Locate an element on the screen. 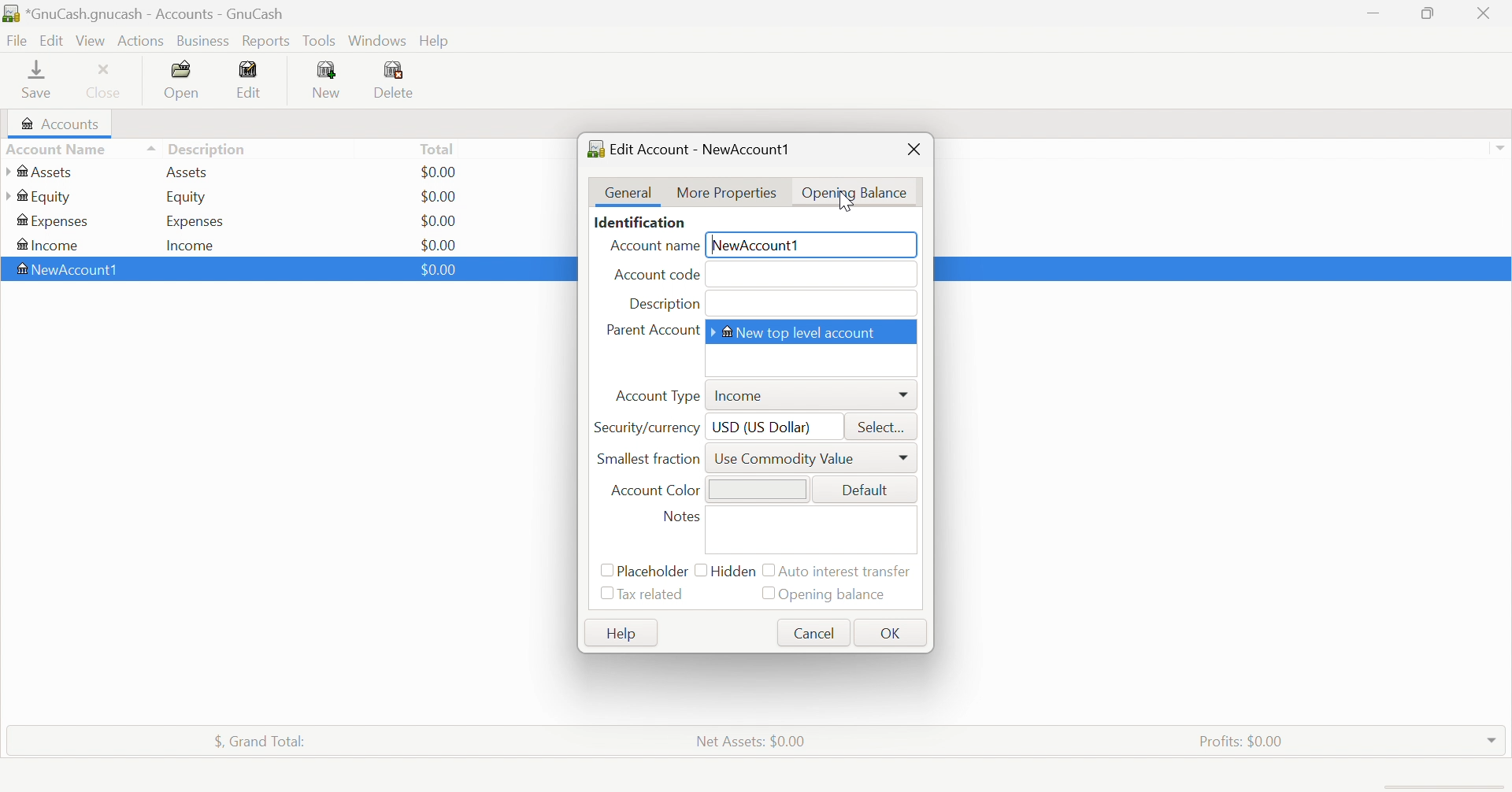 The width and height of the screenshot is (1512, 792). Restore Down is located at coordinates (1430, 15).